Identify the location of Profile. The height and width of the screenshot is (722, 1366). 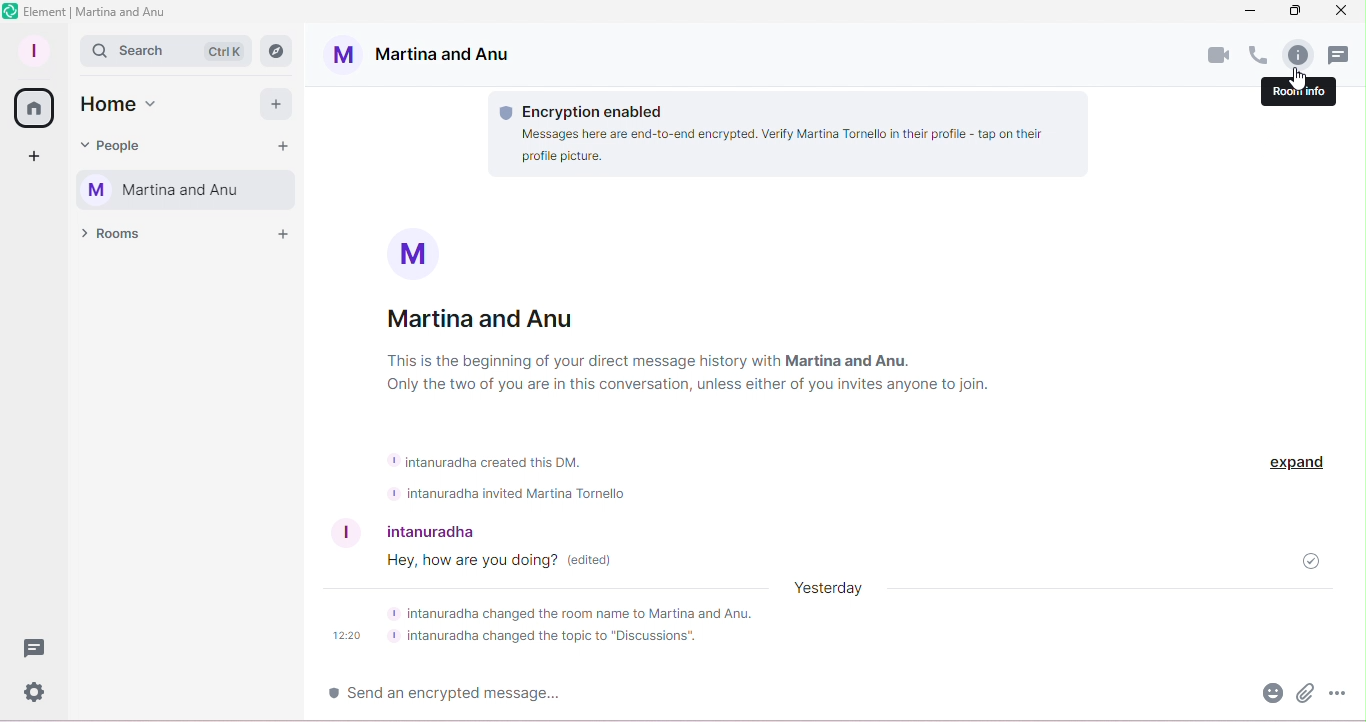
(32, 52).